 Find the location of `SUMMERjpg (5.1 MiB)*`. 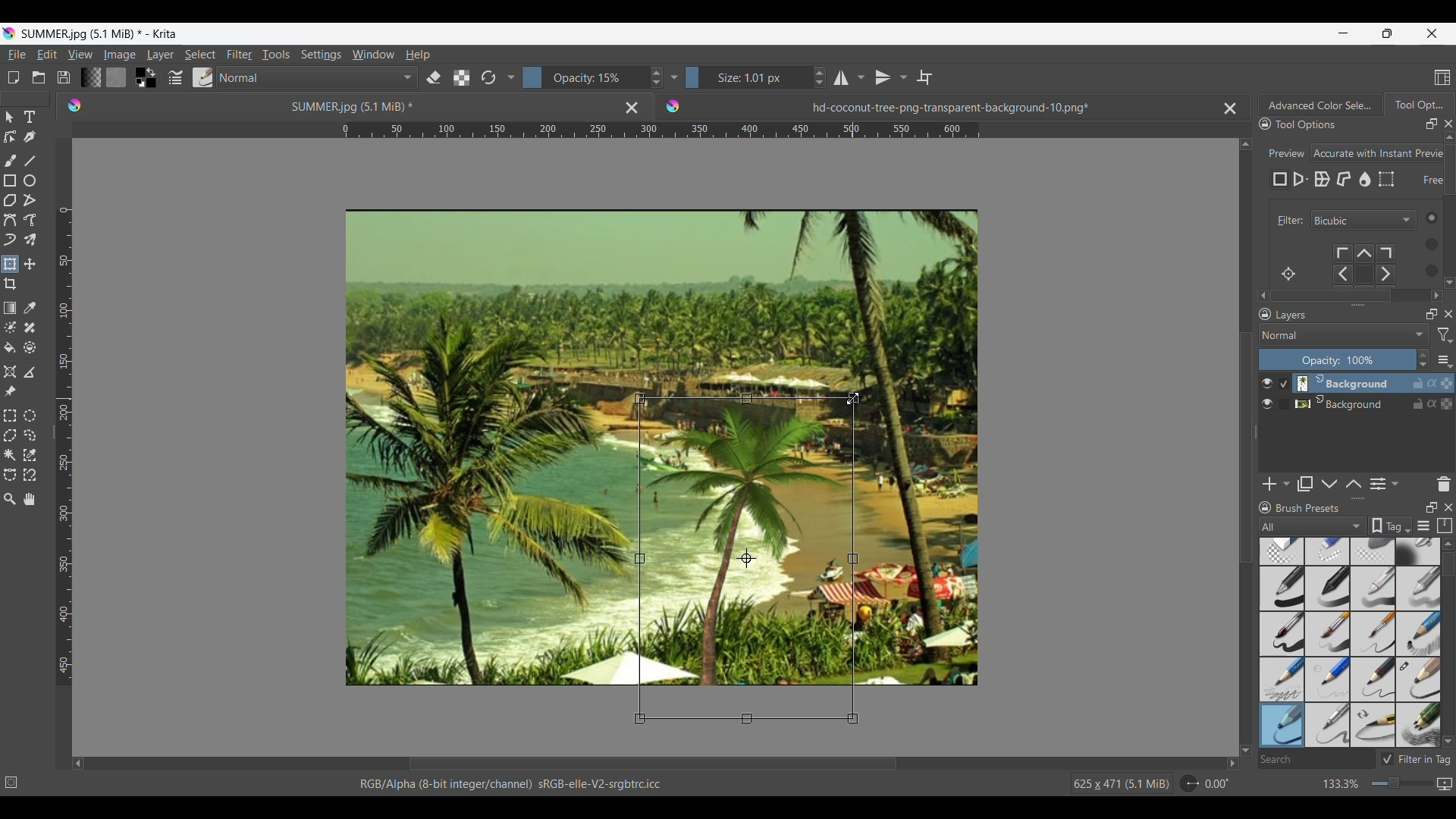

SUMMERjpg (5.1 MiB)* is located at coordinates (330, 105).